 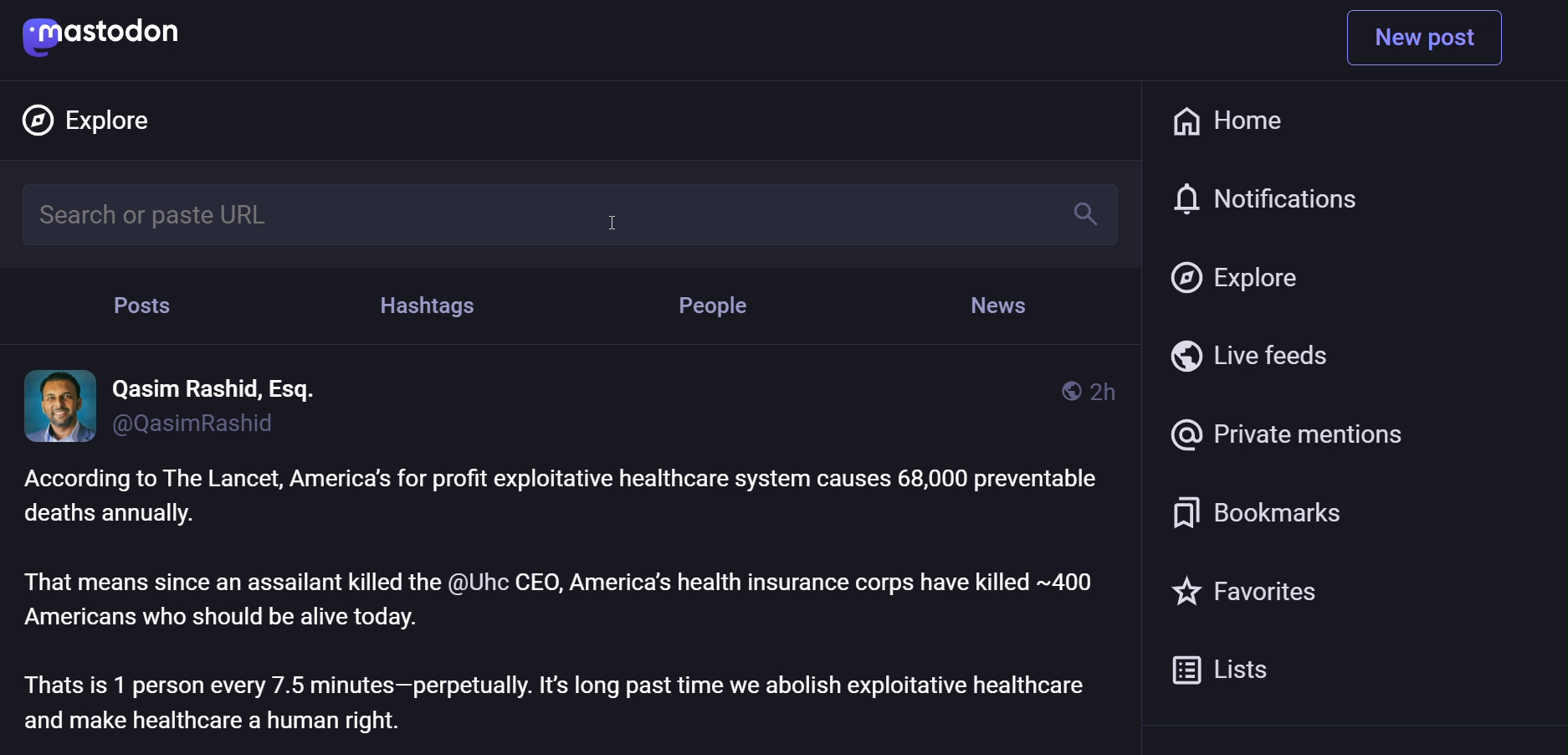 What do you see at coordinates (1082, 215) in the screenshot?
I see `search` at bounding box center [1082, 215].